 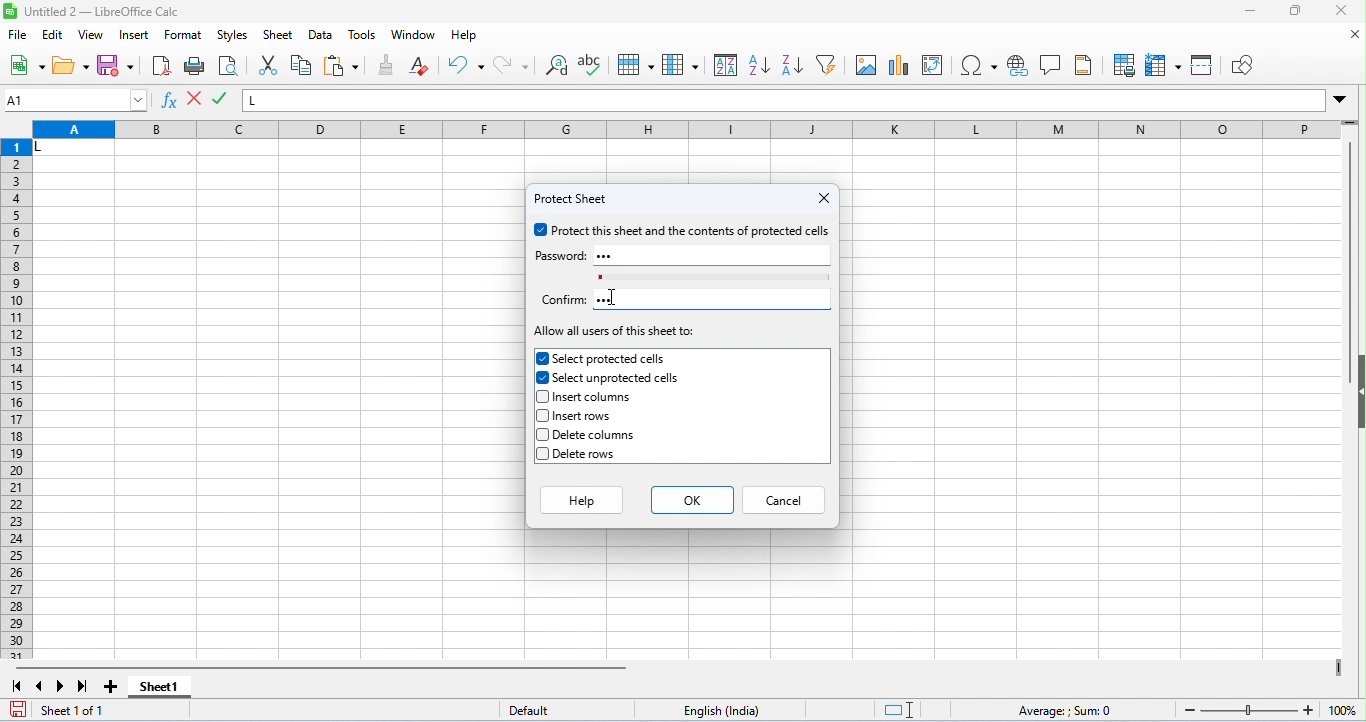 What do you see at coordinates (227, 67) in the screenshot?
I see `print preview` at bounding box center [227, 67].